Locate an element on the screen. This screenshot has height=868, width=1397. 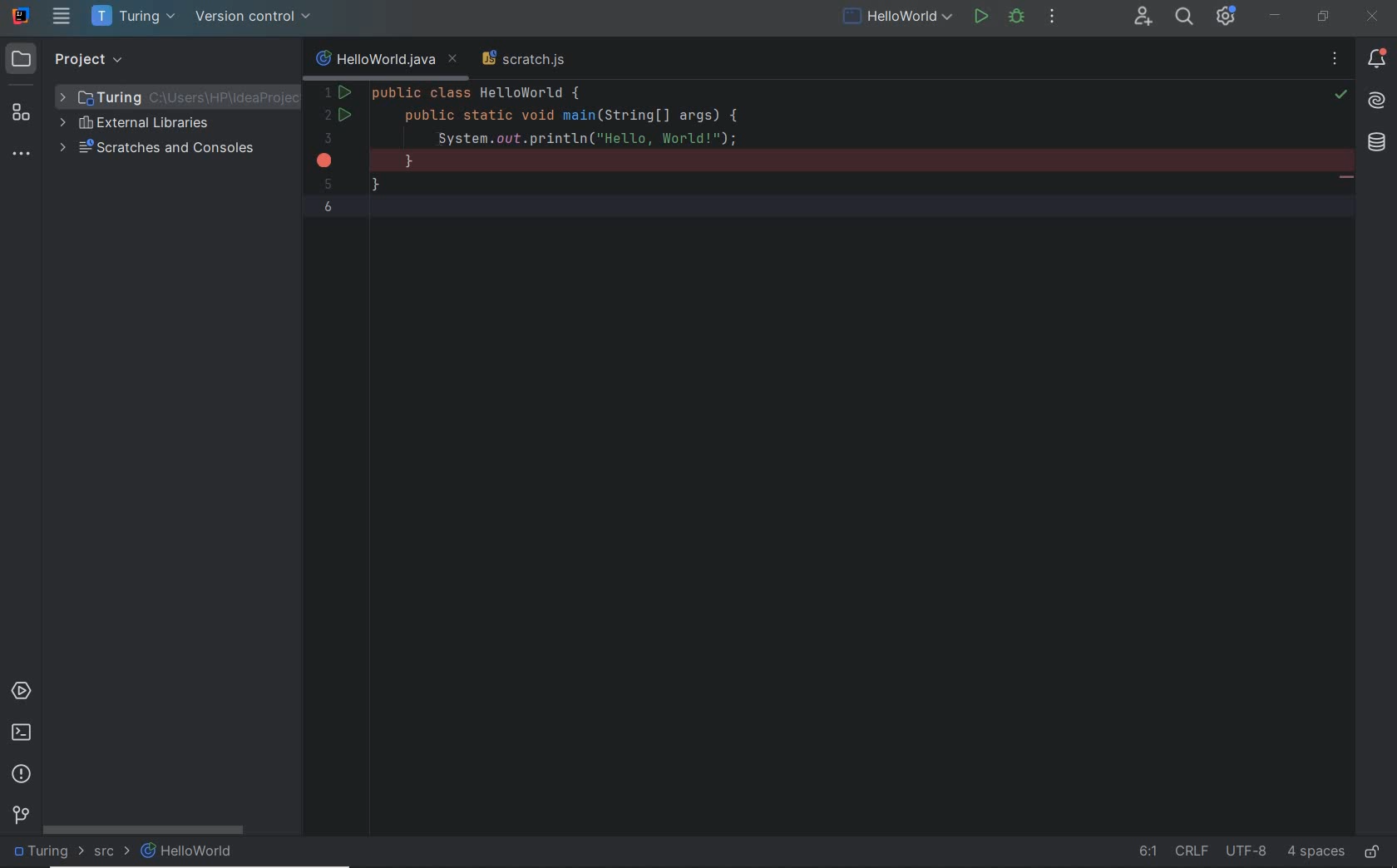
Database is located at coordinates (1375, 141).